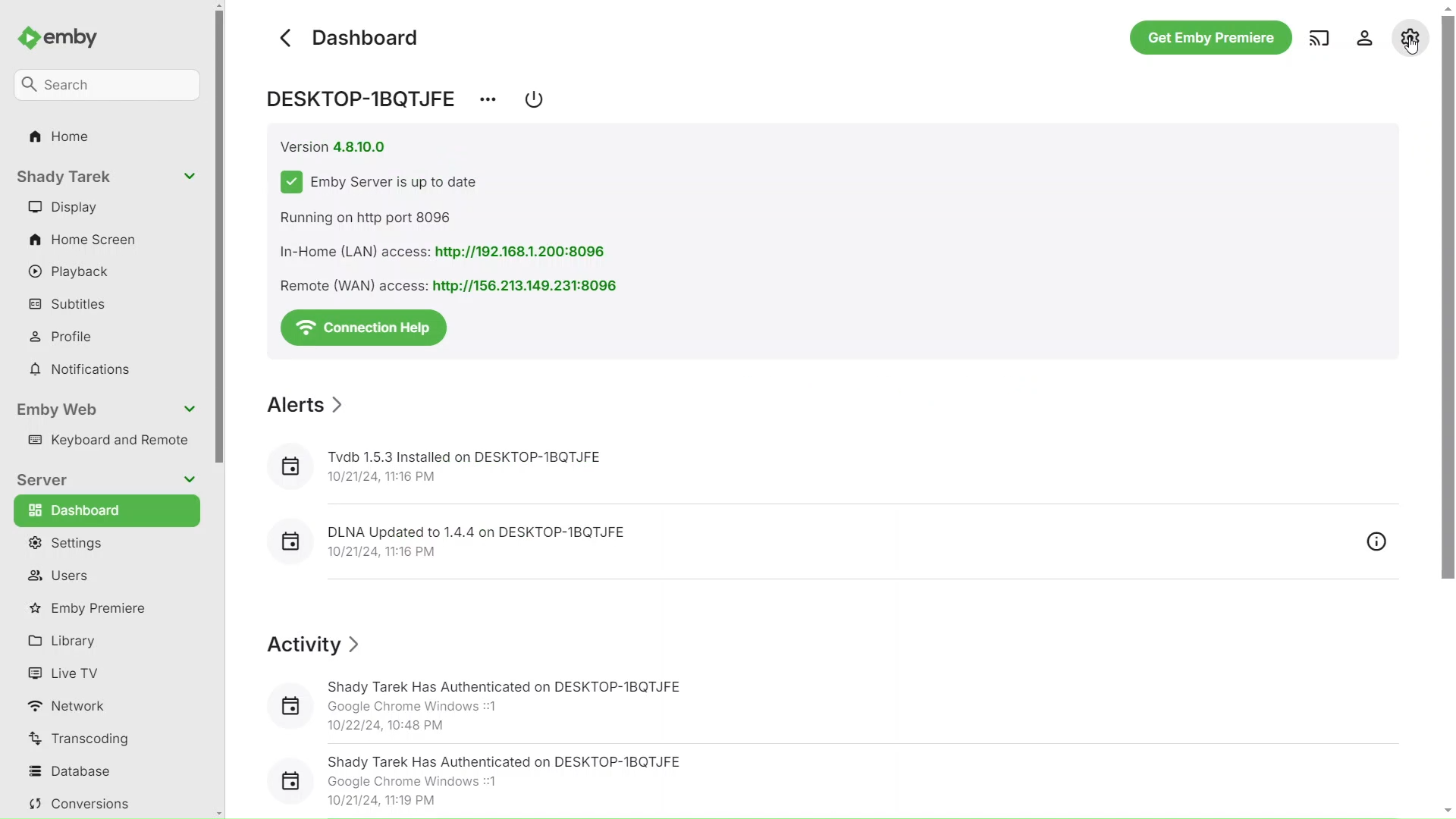 This screenshot has width=1456, height=819. Describe the element at coordinates (337, 143) in the screenshot. I see `Version 4.8.10.0` at that location.